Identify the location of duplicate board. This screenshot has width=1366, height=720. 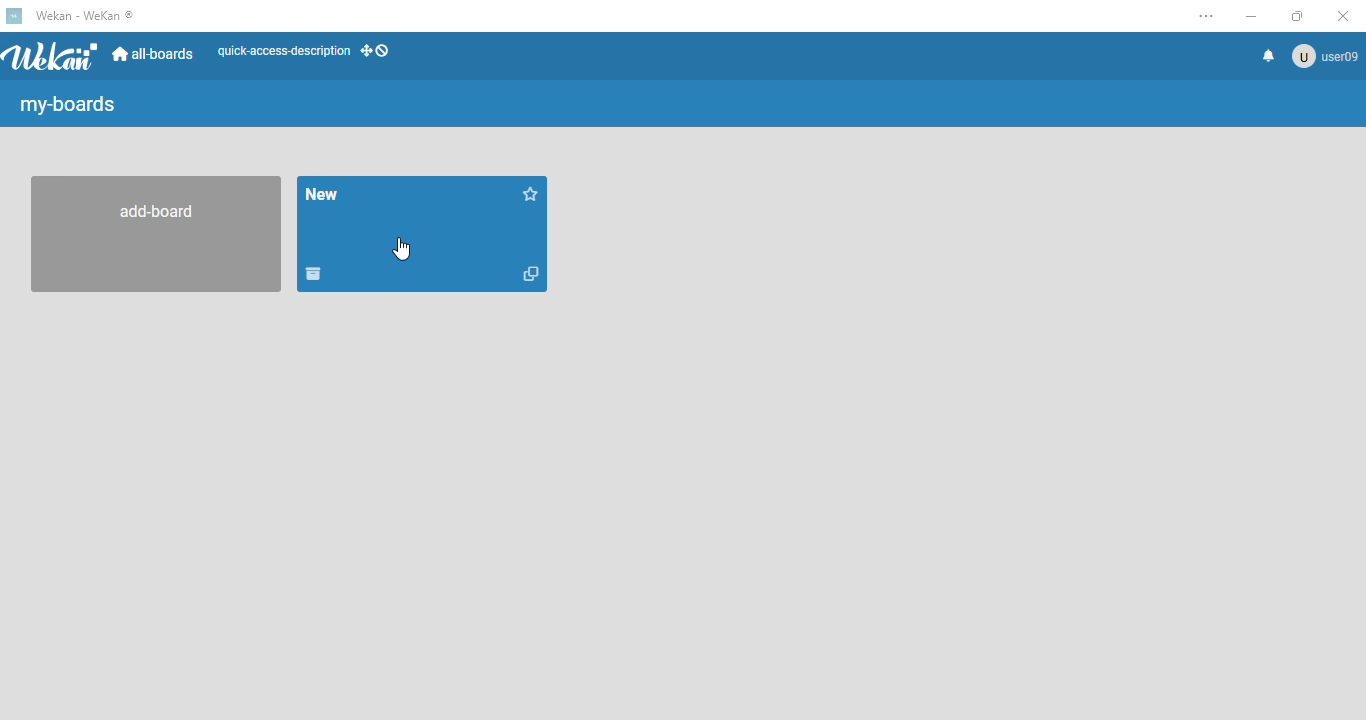
(531, 274).